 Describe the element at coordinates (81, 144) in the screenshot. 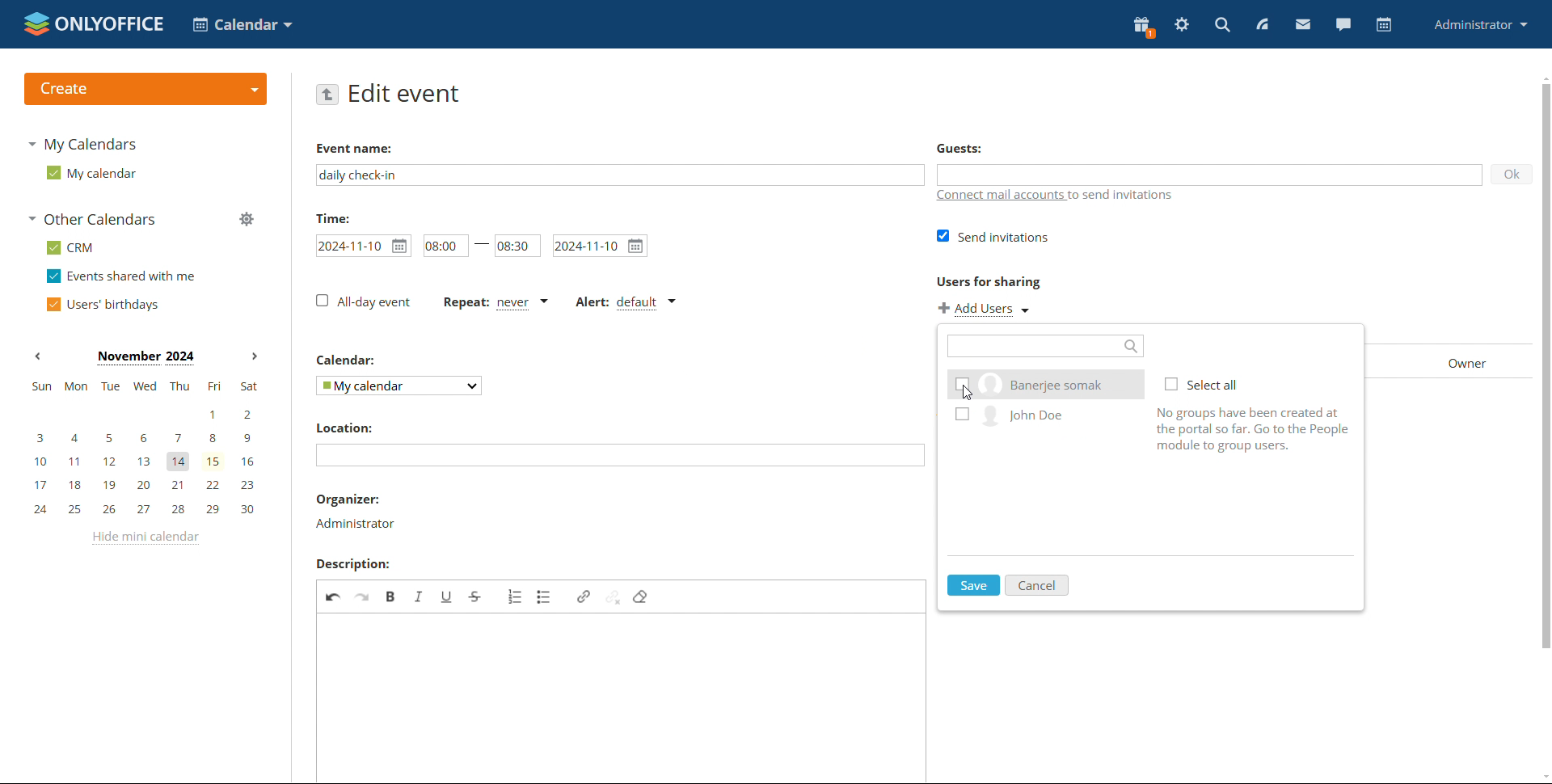

I see `my calendars` at that location.